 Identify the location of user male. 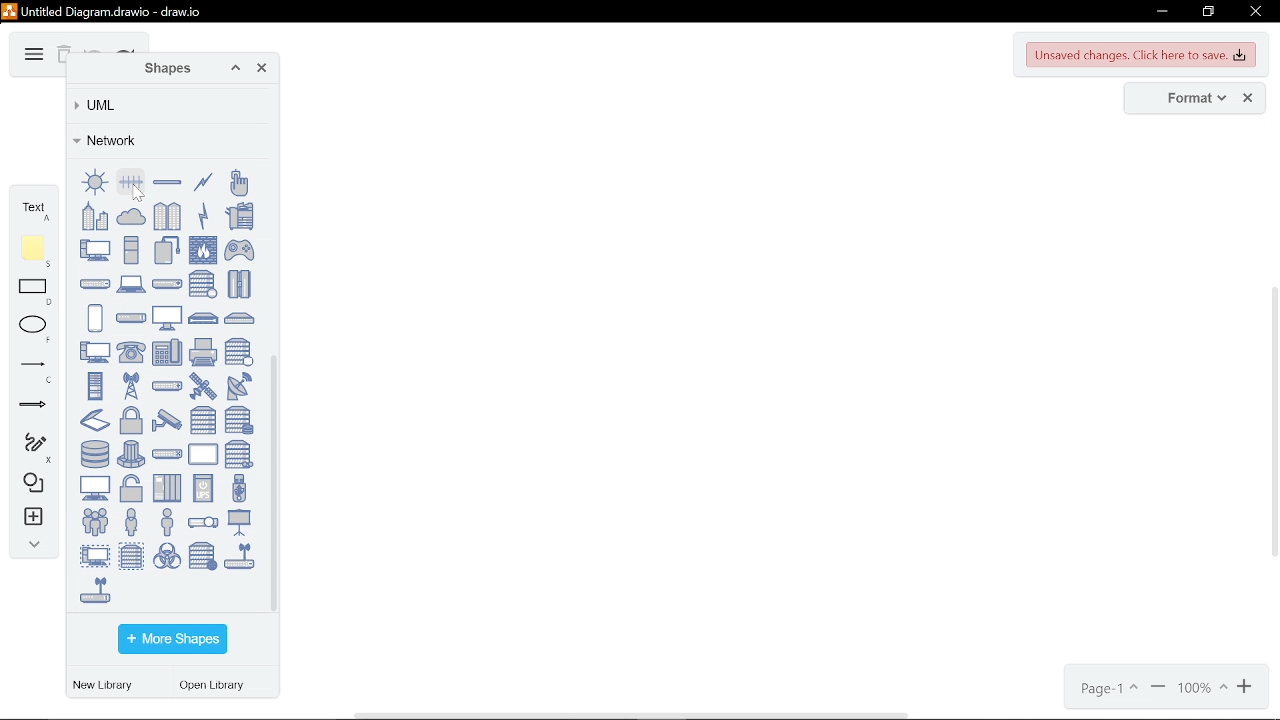
(167, 521).